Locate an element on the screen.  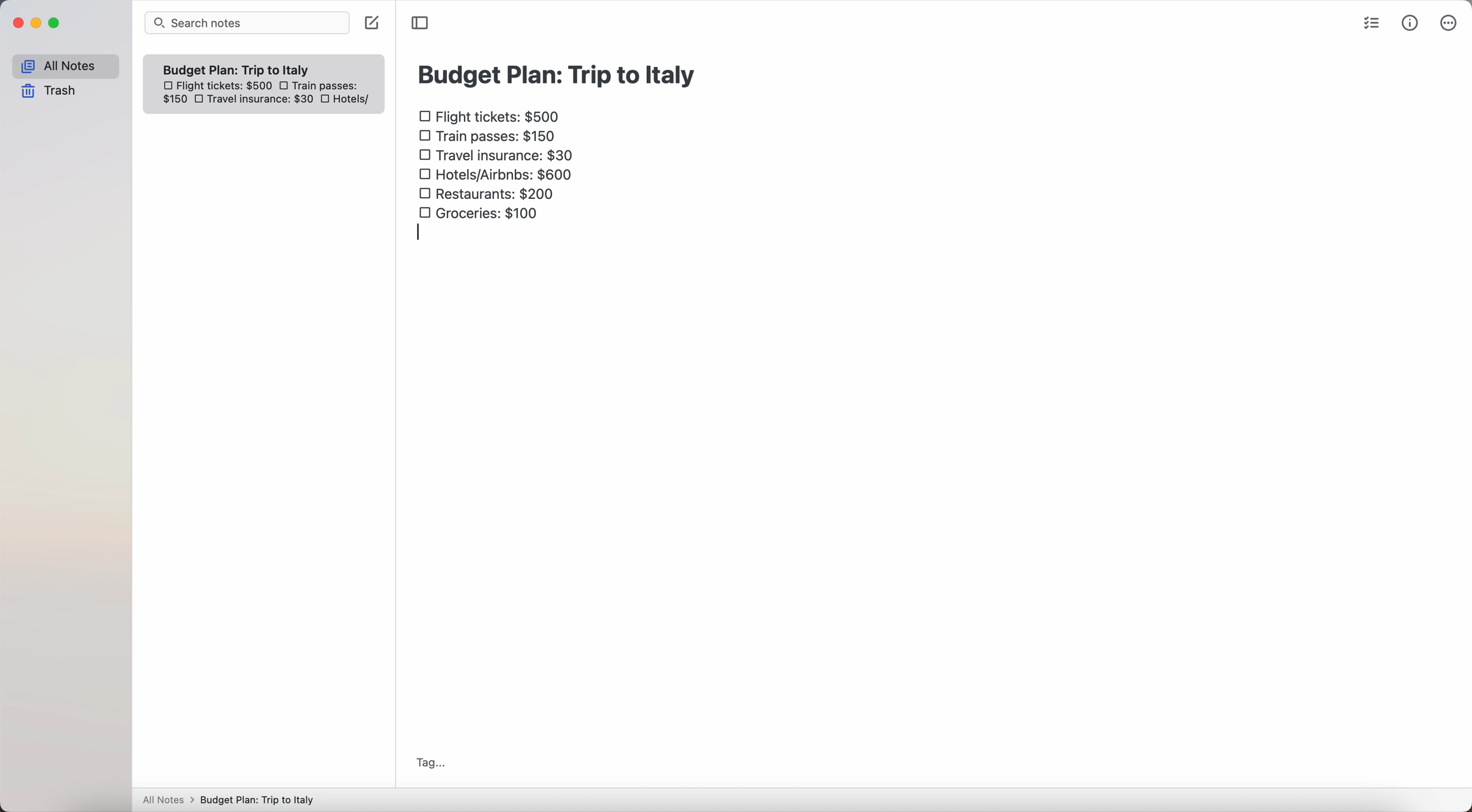
hotels is located at coordinates (357, 100).